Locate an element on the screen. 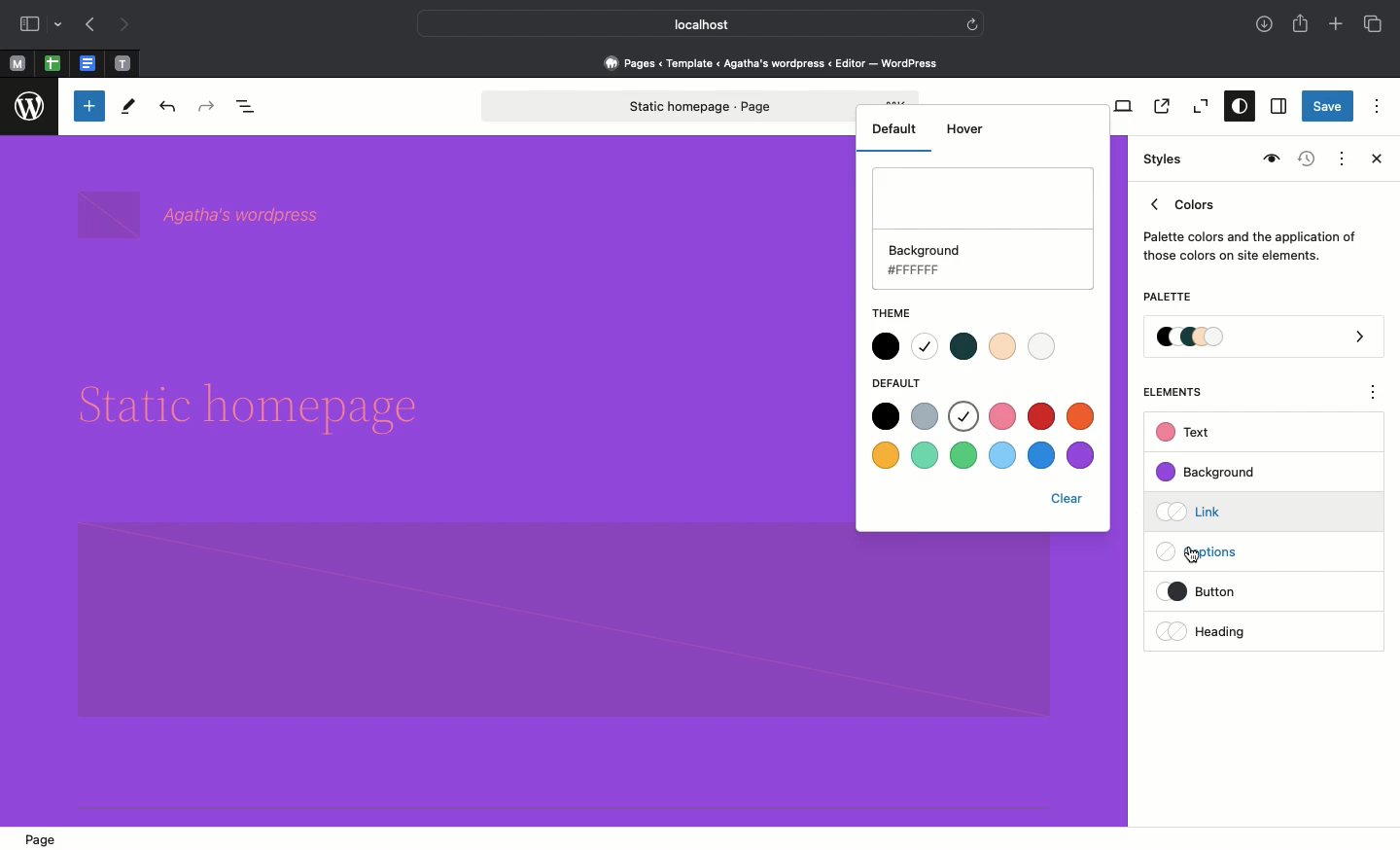 Image resolution: width=1400 pixels, height=850 pixels. Style book is located at coordinates (1269, 159).